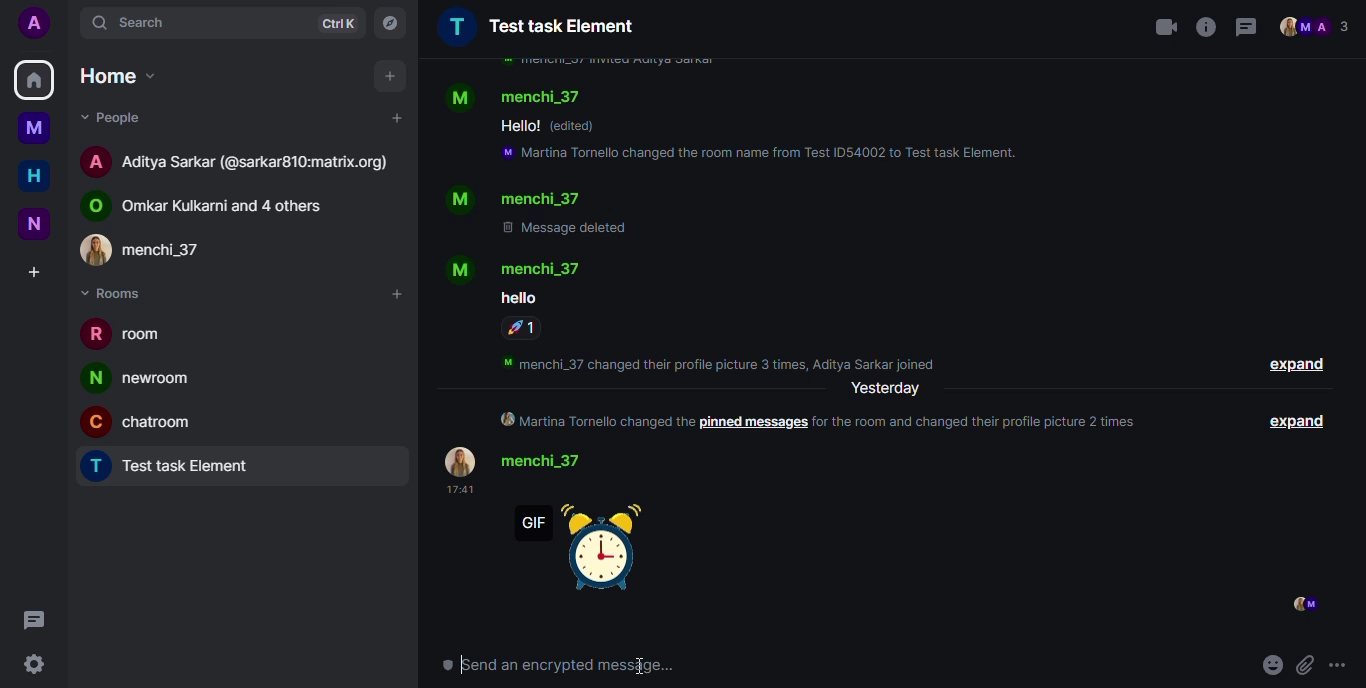  What do you see at coordinates (1274, 660) in the screenshot?
I see `emoji` at bounding box center [1274, 660].